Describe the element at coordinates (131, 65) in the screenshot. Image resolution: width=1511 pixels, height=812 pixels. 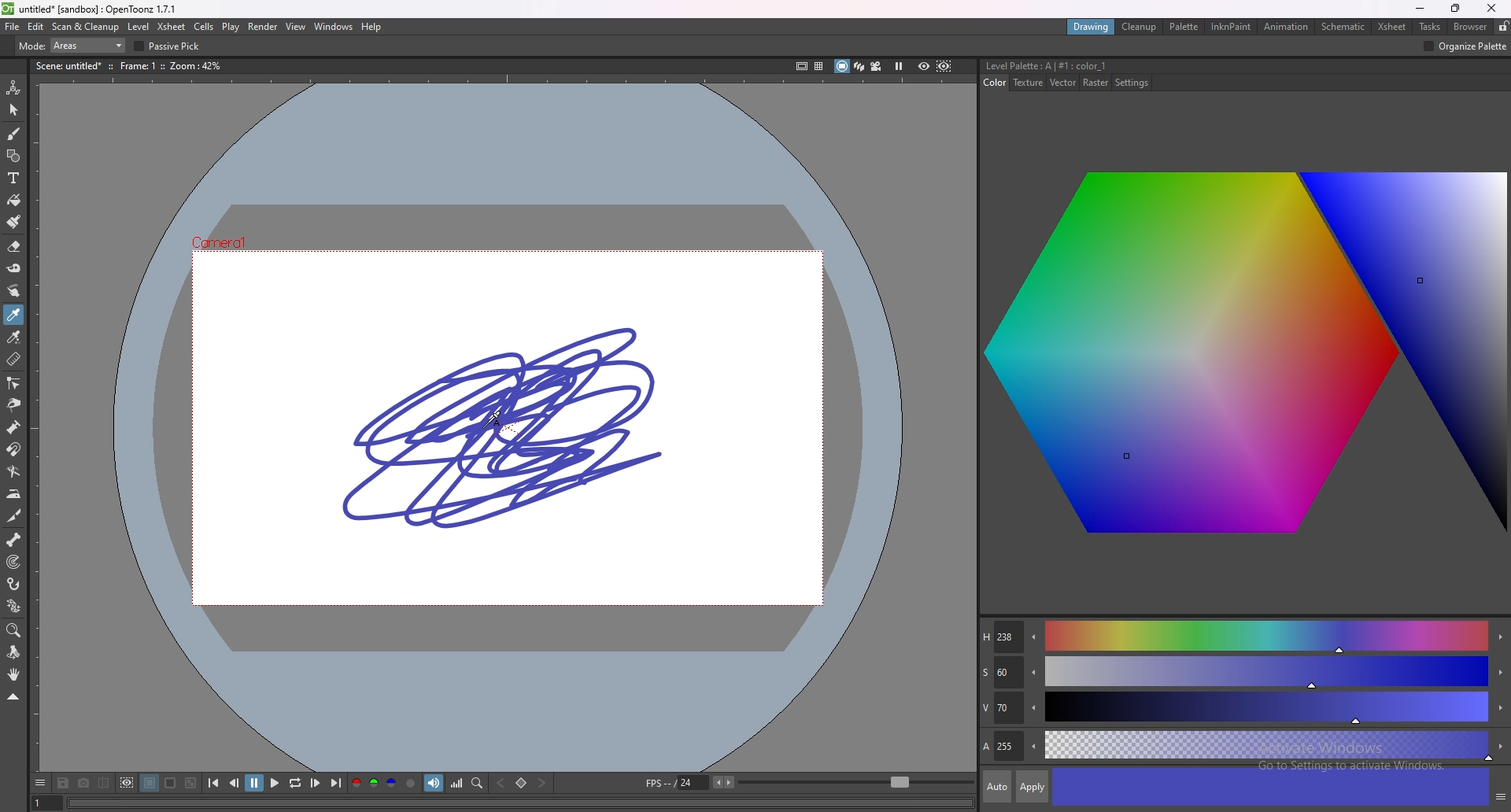
I see `description` at that location.